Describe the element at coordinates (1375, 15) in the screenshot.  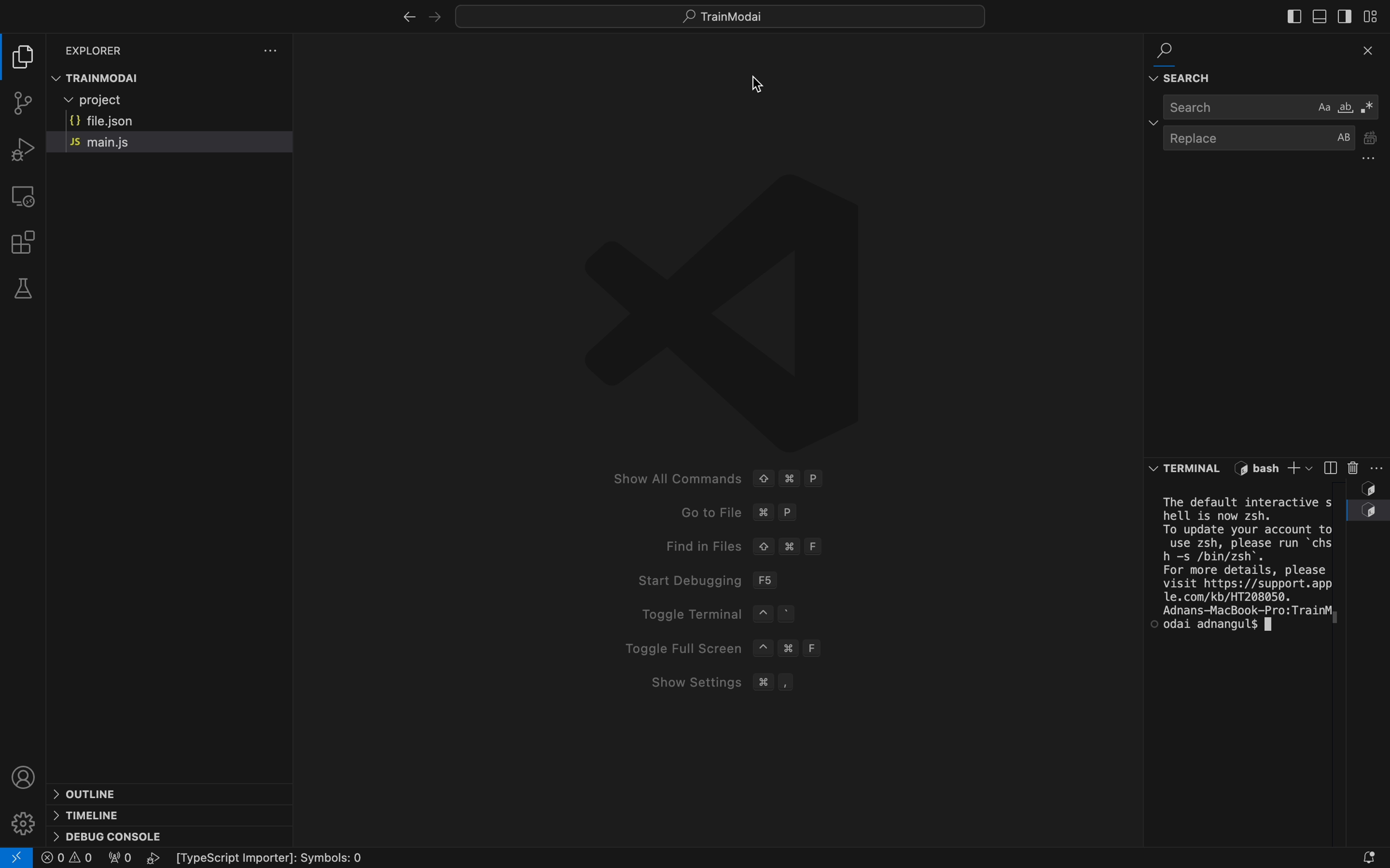
I see `layout` at that location.